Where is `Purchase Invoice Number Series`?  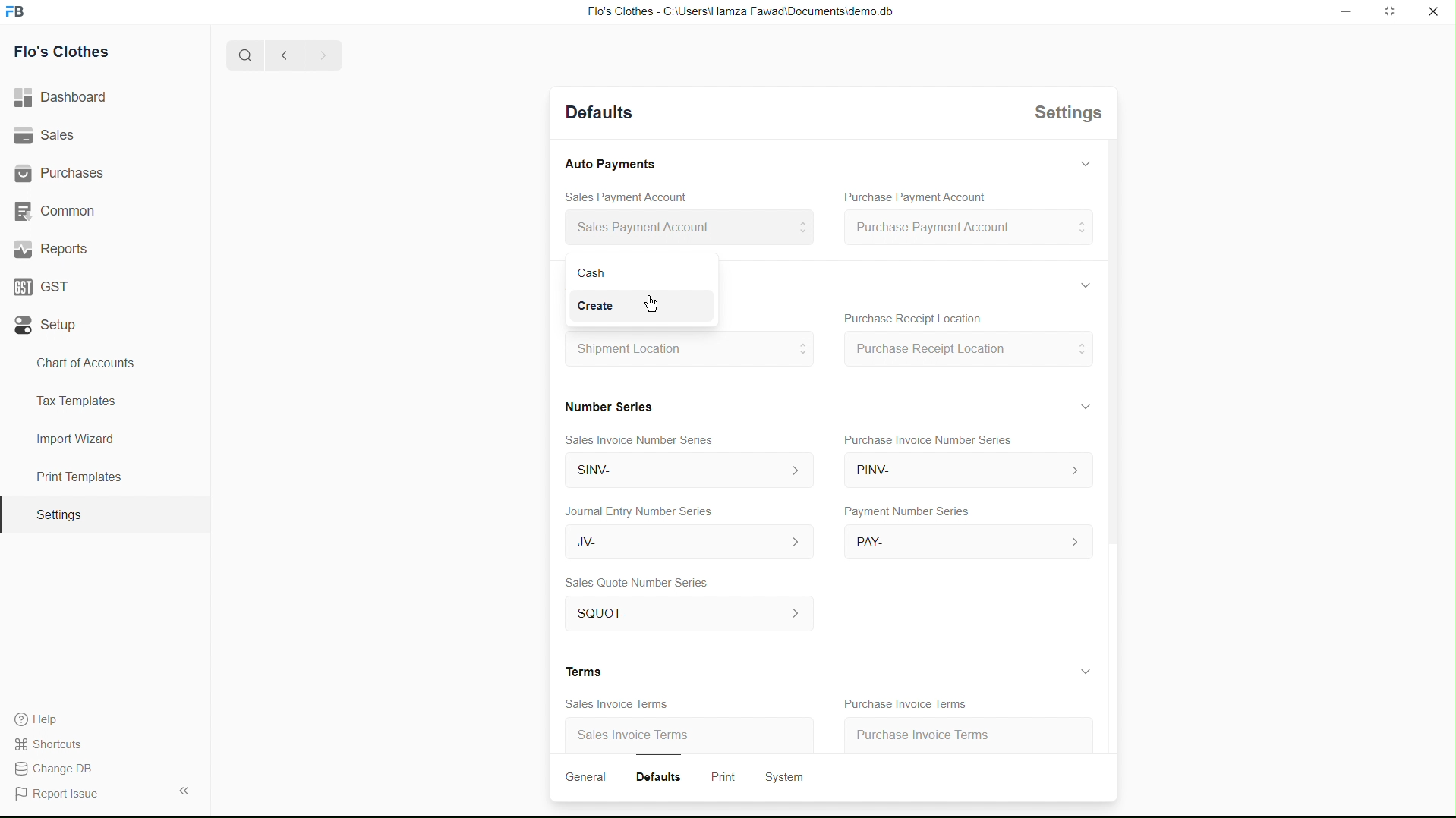 Purchase Invoice Number Series is located at coordinates (926, 439).